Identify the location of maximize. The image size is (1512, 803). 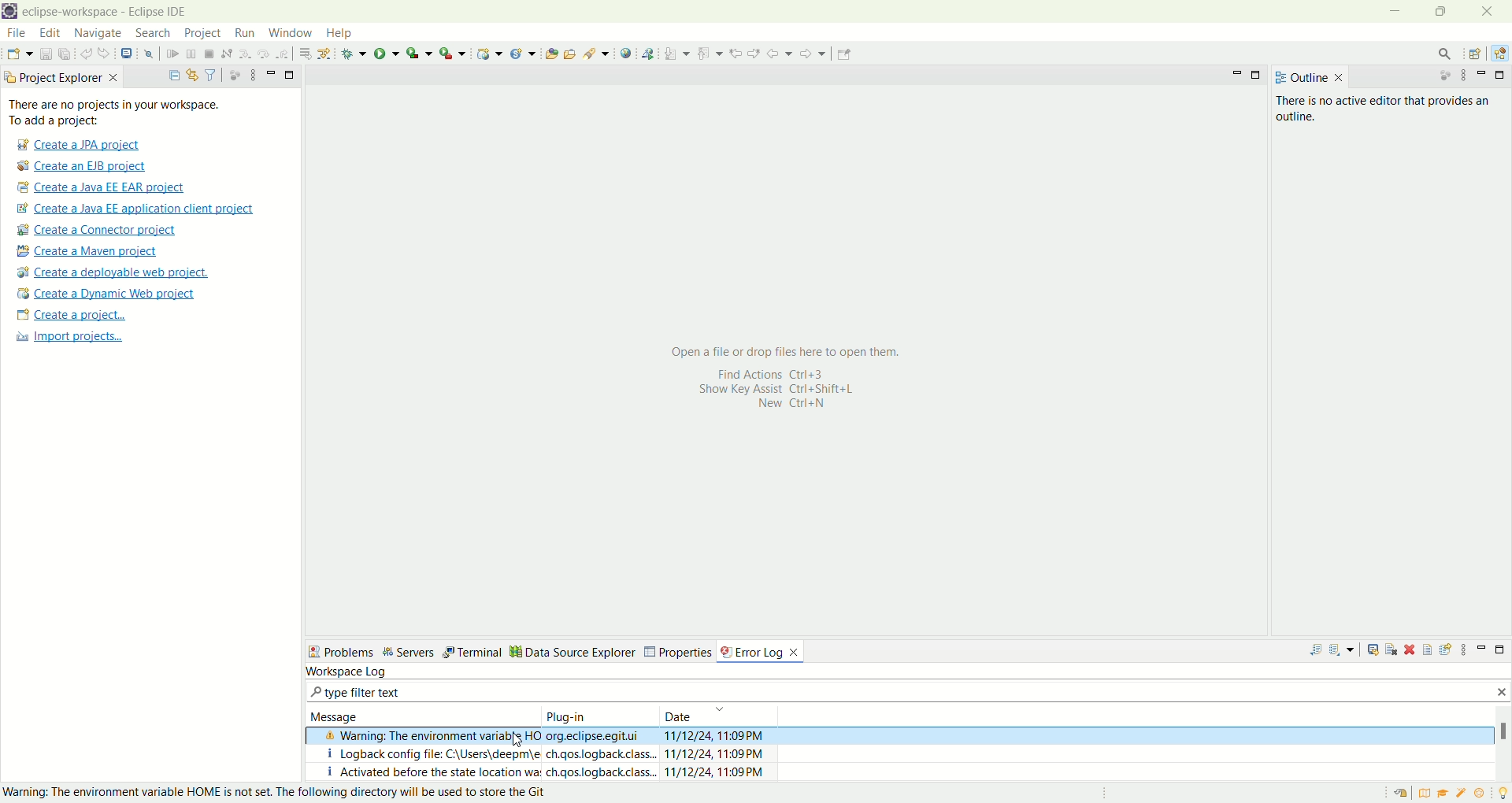
(1442, 12).